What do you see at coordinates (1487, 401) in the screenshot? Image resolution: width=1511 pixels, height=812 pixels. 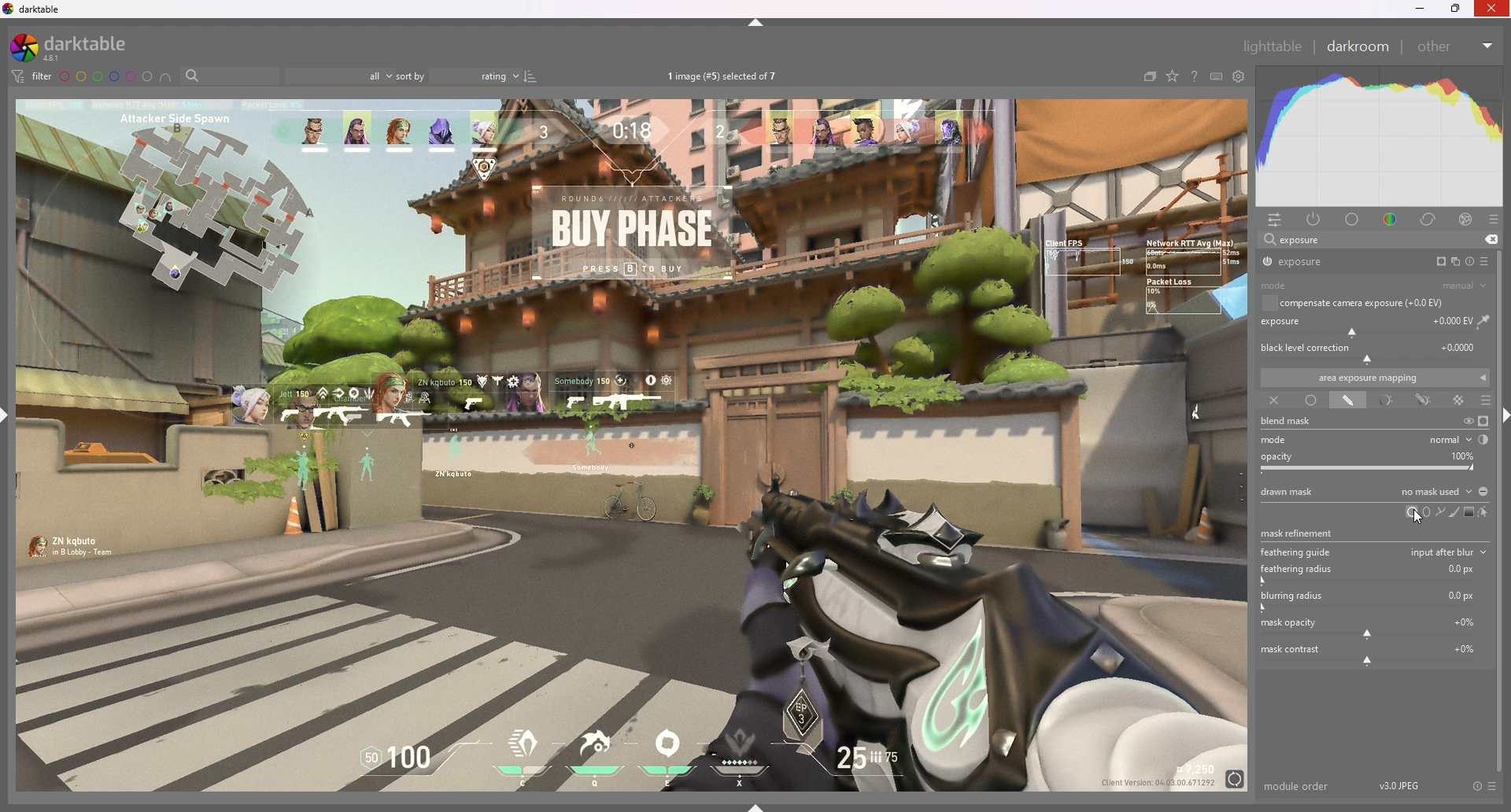 I see `blending options` at bounding box center [1487, 401].